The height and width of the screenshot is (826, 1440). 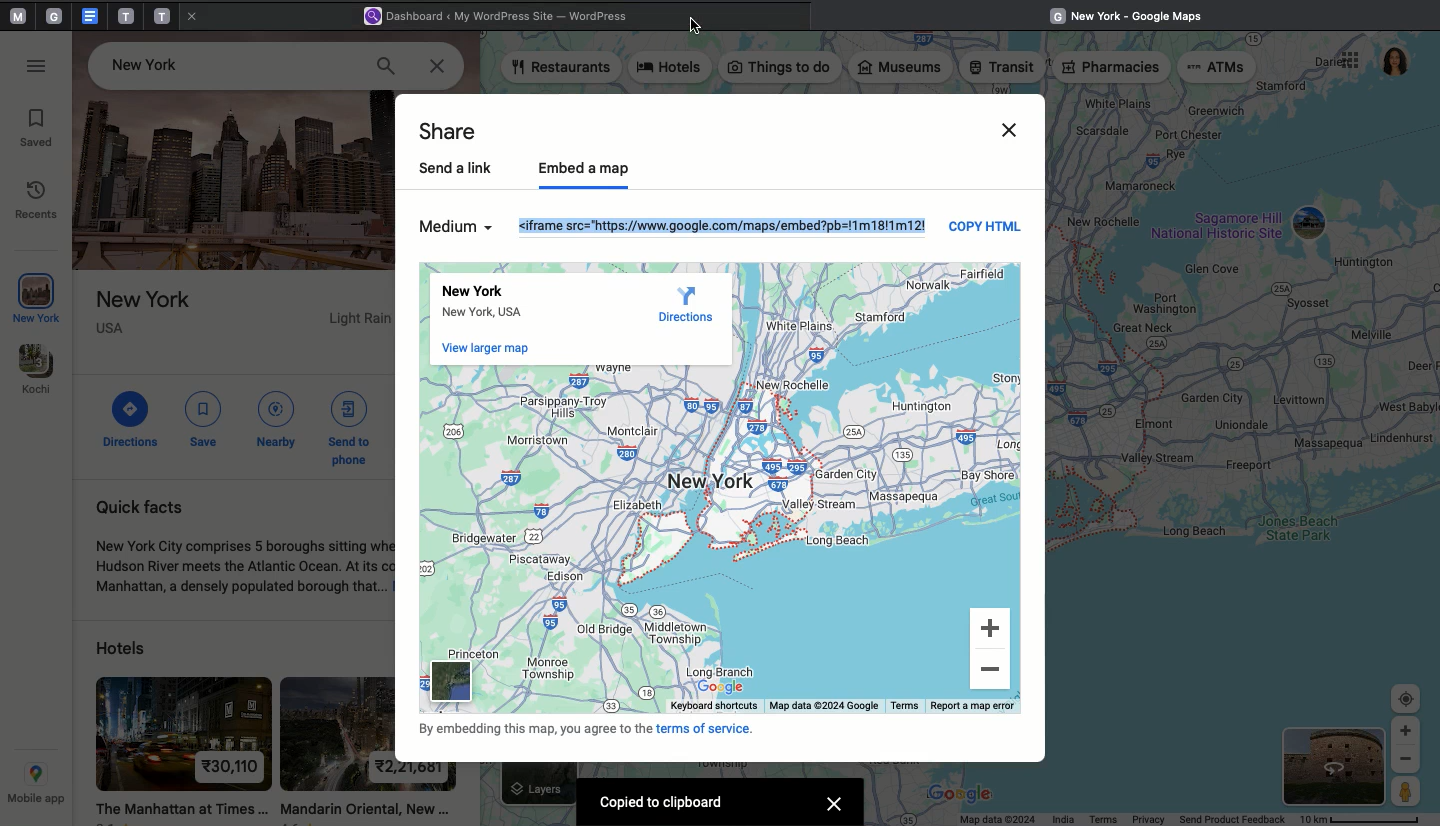 I want to click on Terms of service, so click(x=607, y=728).